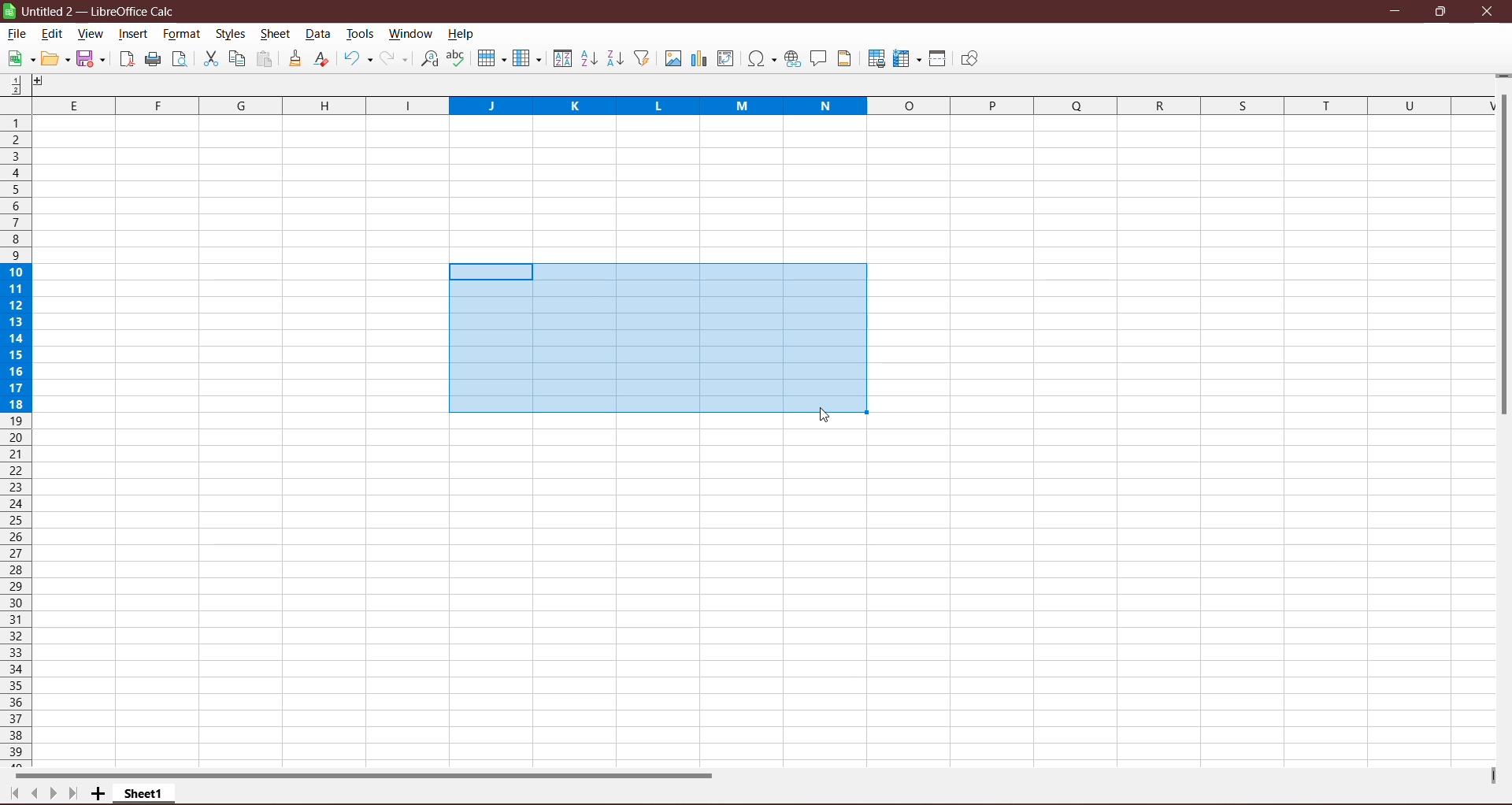 The width and height of the screenshot is (1512, 805). What do you see at coordinates (616, 58) in the screenshot?
I see `Sort Descending` at bounding box center [616, 58].